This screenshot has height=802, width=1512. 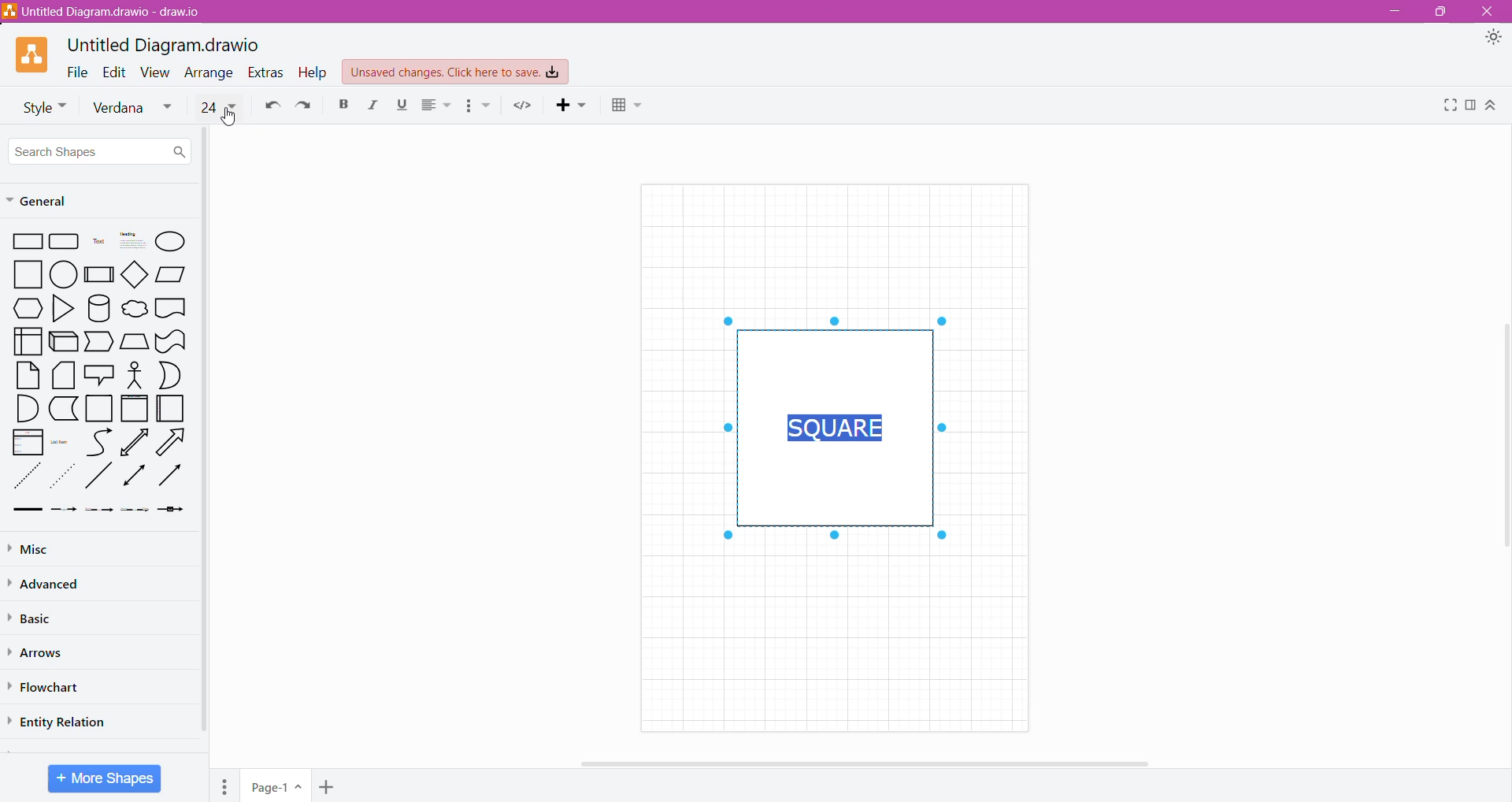 What do you see at coordinates (329, 786) in the screenshot?
I see `Add Page` at bounding box center [329, 786].